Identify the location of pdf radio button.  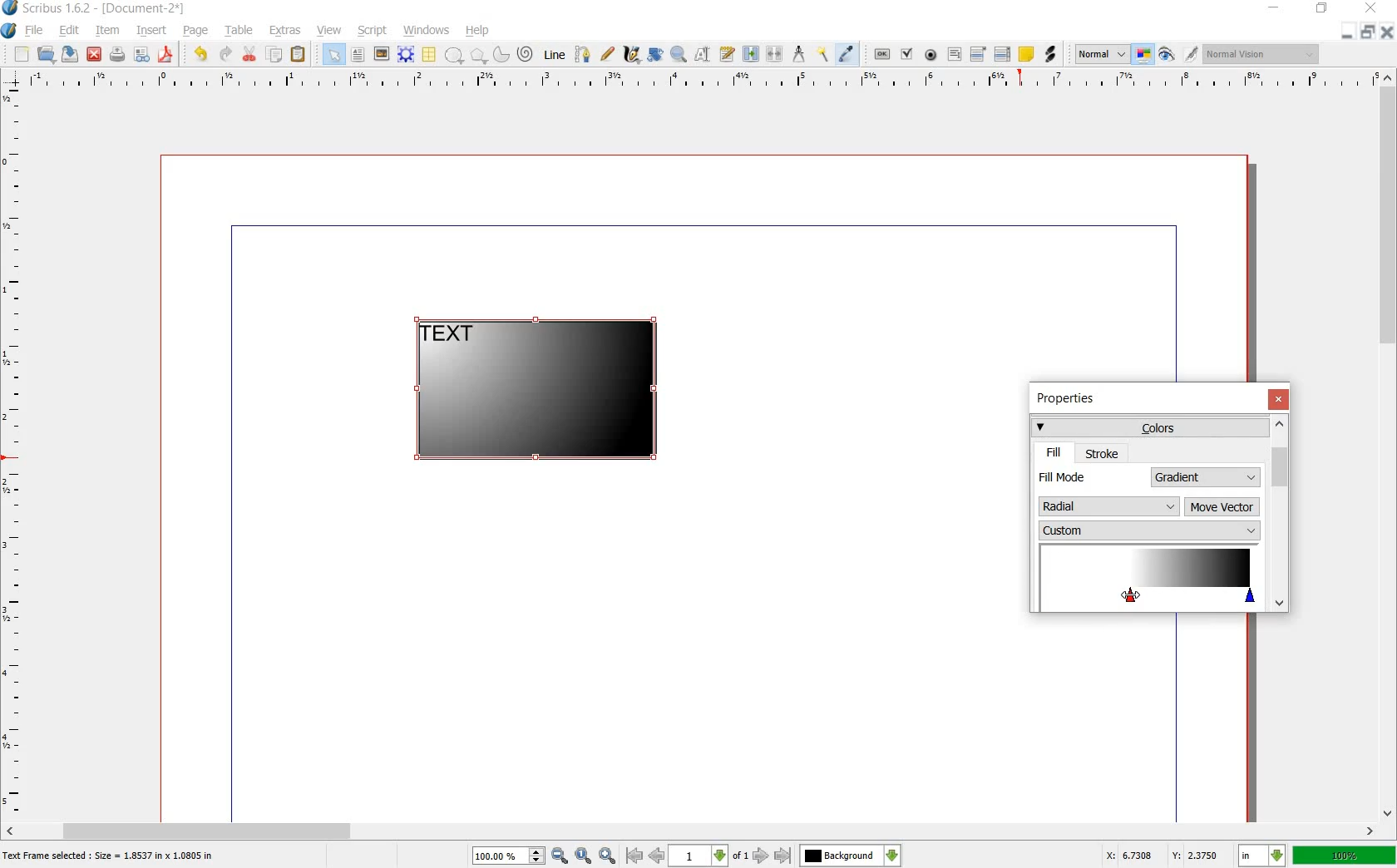
(931, 55).